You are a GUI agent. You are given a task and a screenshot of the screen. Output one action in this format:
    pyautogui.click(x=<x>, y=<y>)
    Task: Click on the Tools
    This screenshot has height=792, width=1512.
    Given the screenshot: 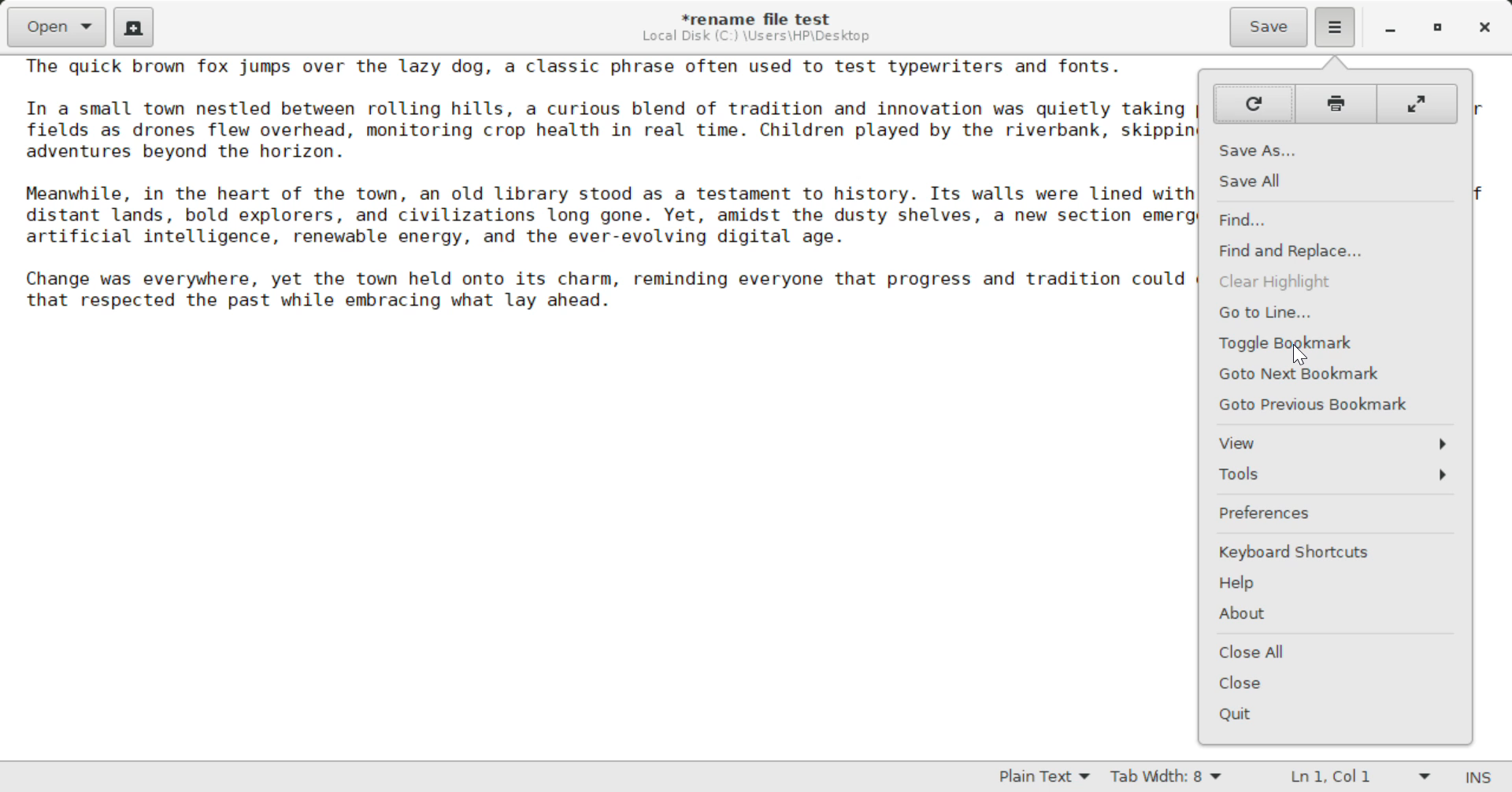 What is the action you would take?
    pyautogui.click(x=1333, y=476)
    